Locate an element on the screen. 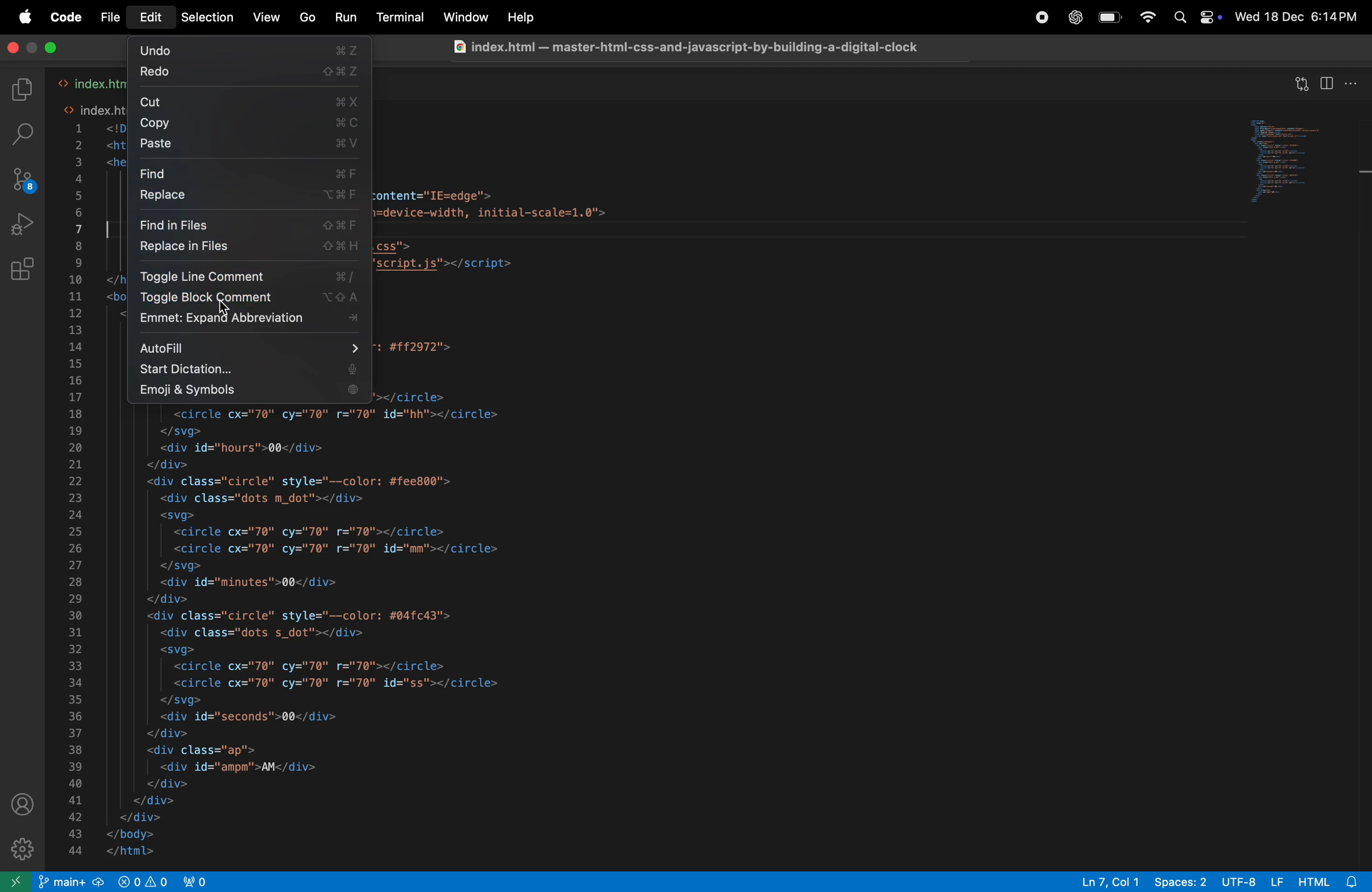  redo is located at coordinates (245, 74).